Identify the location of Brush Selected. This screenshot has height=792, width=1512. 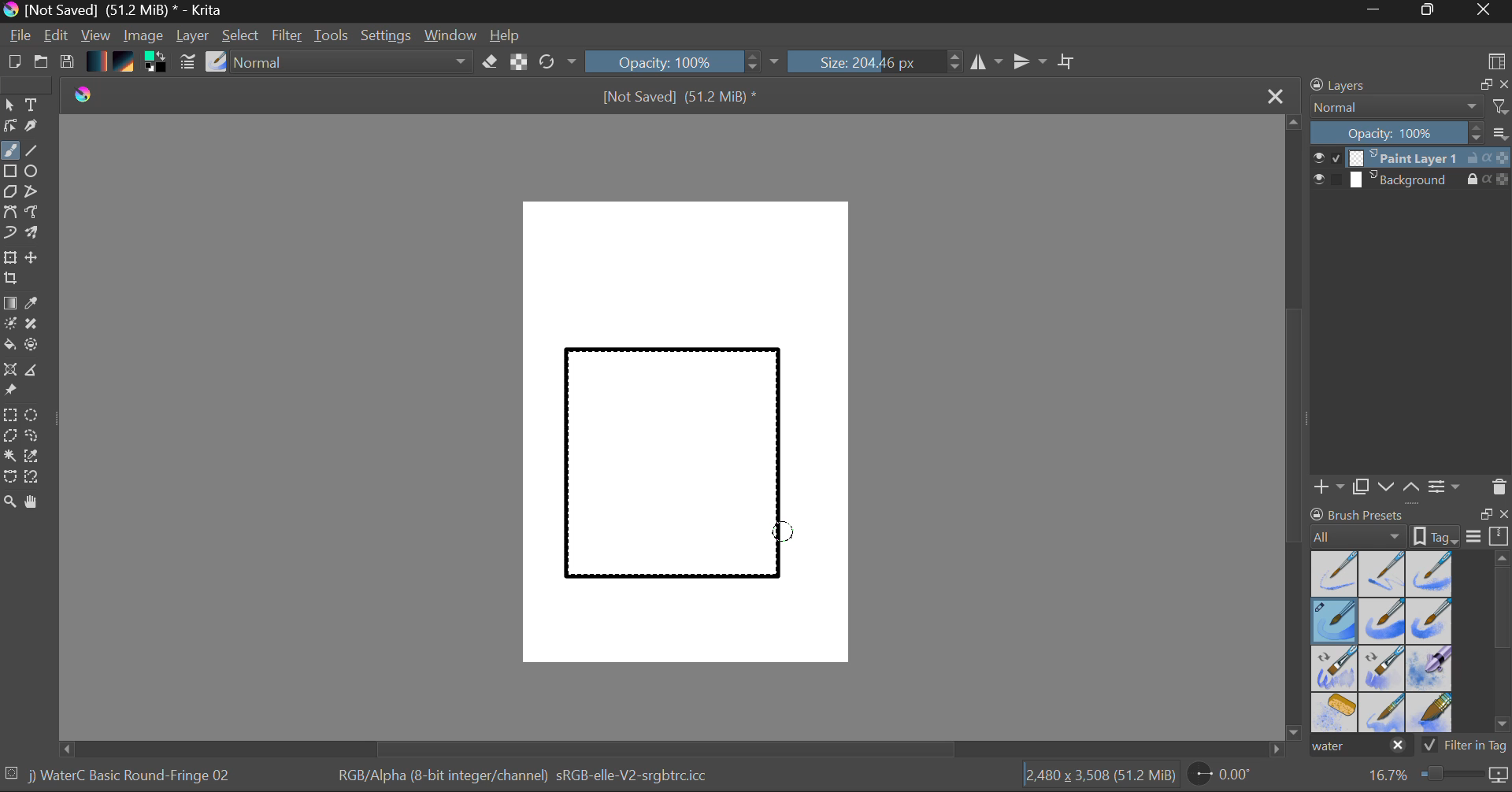
(132, 777).